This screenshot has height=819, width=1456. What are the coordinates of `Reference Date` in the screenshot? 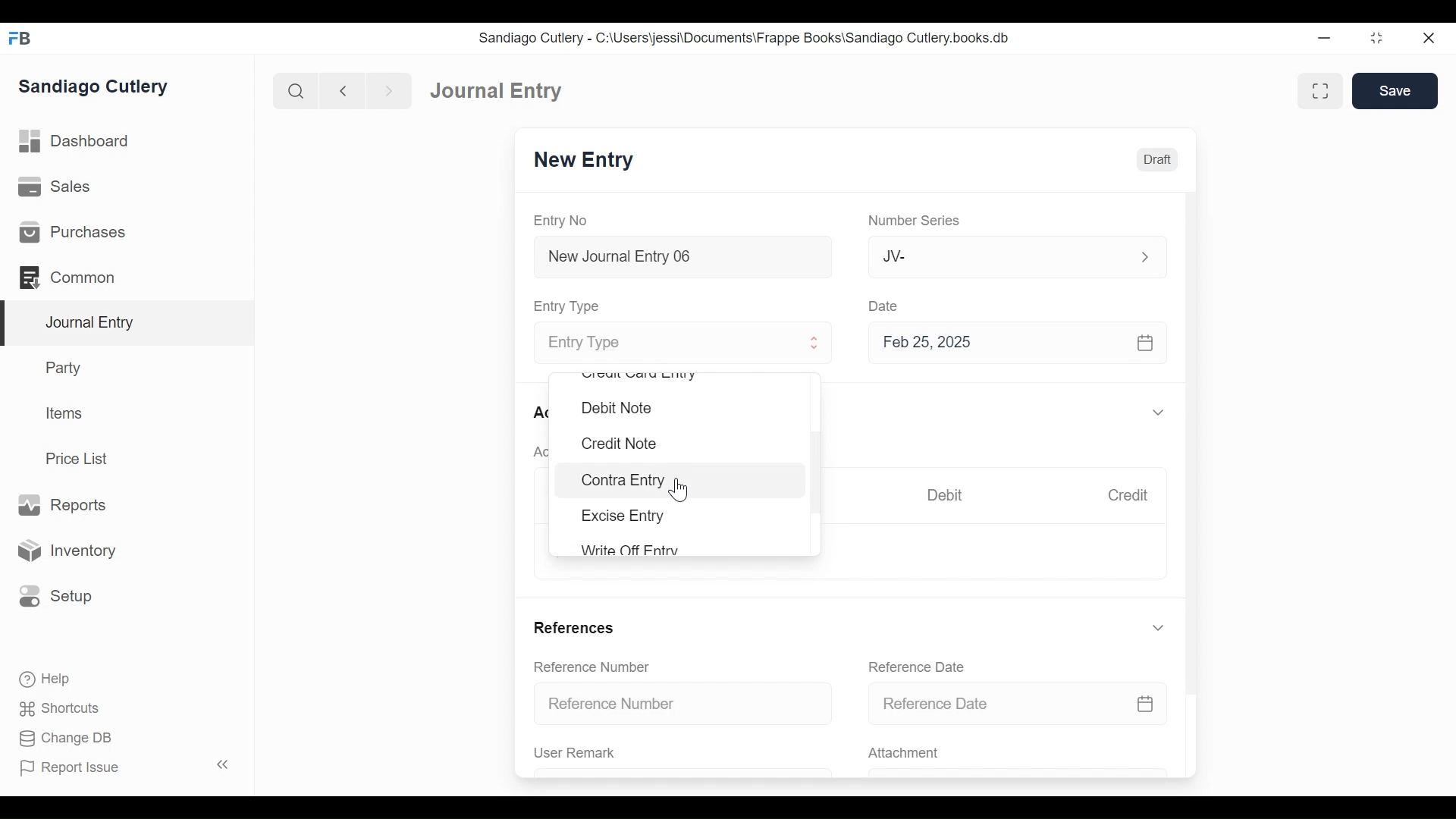 It's located at (915, 667).